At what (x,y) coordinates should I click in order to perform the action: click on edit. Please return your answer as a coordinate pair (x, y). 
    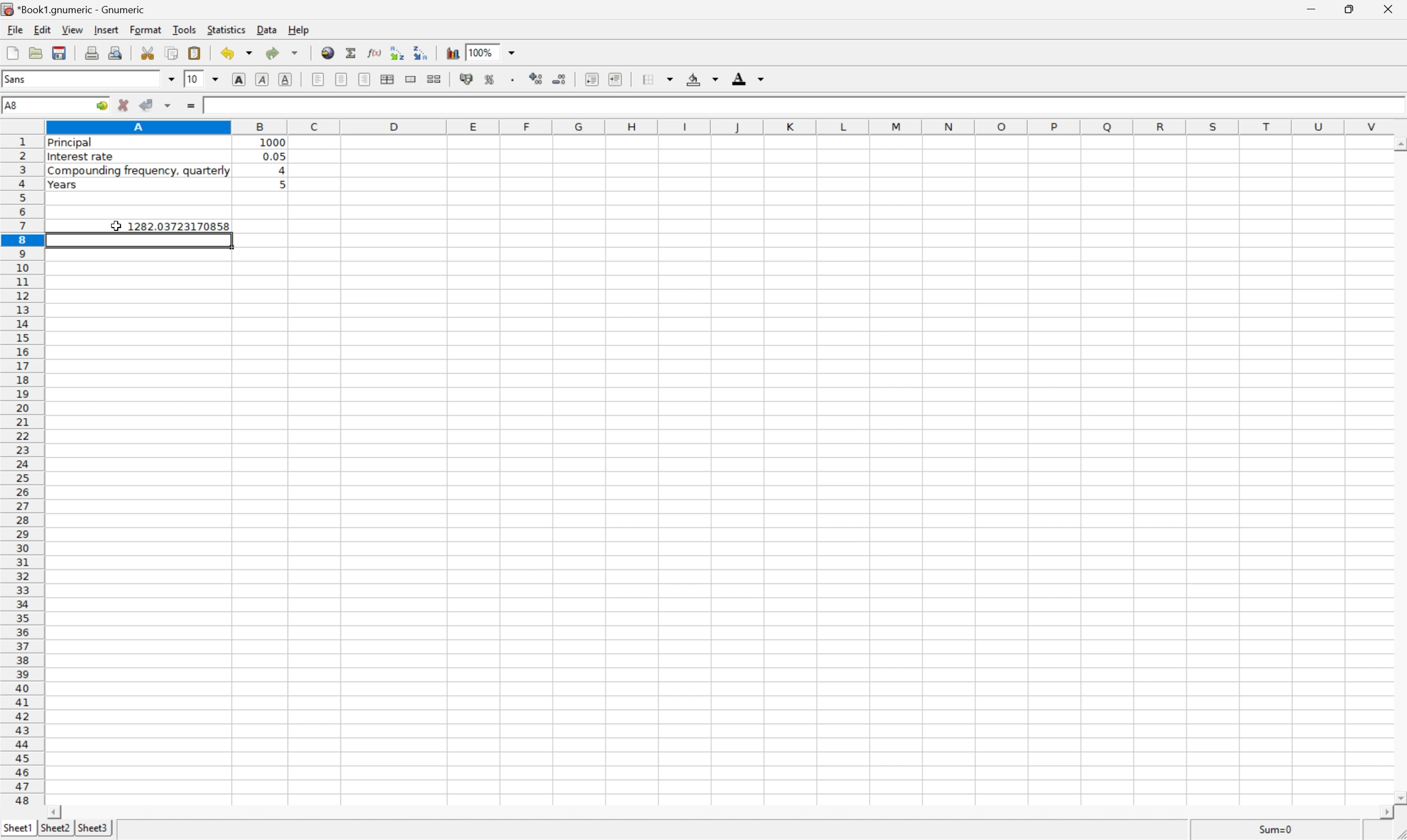
    Looking at the image, I should click on (41, 29).